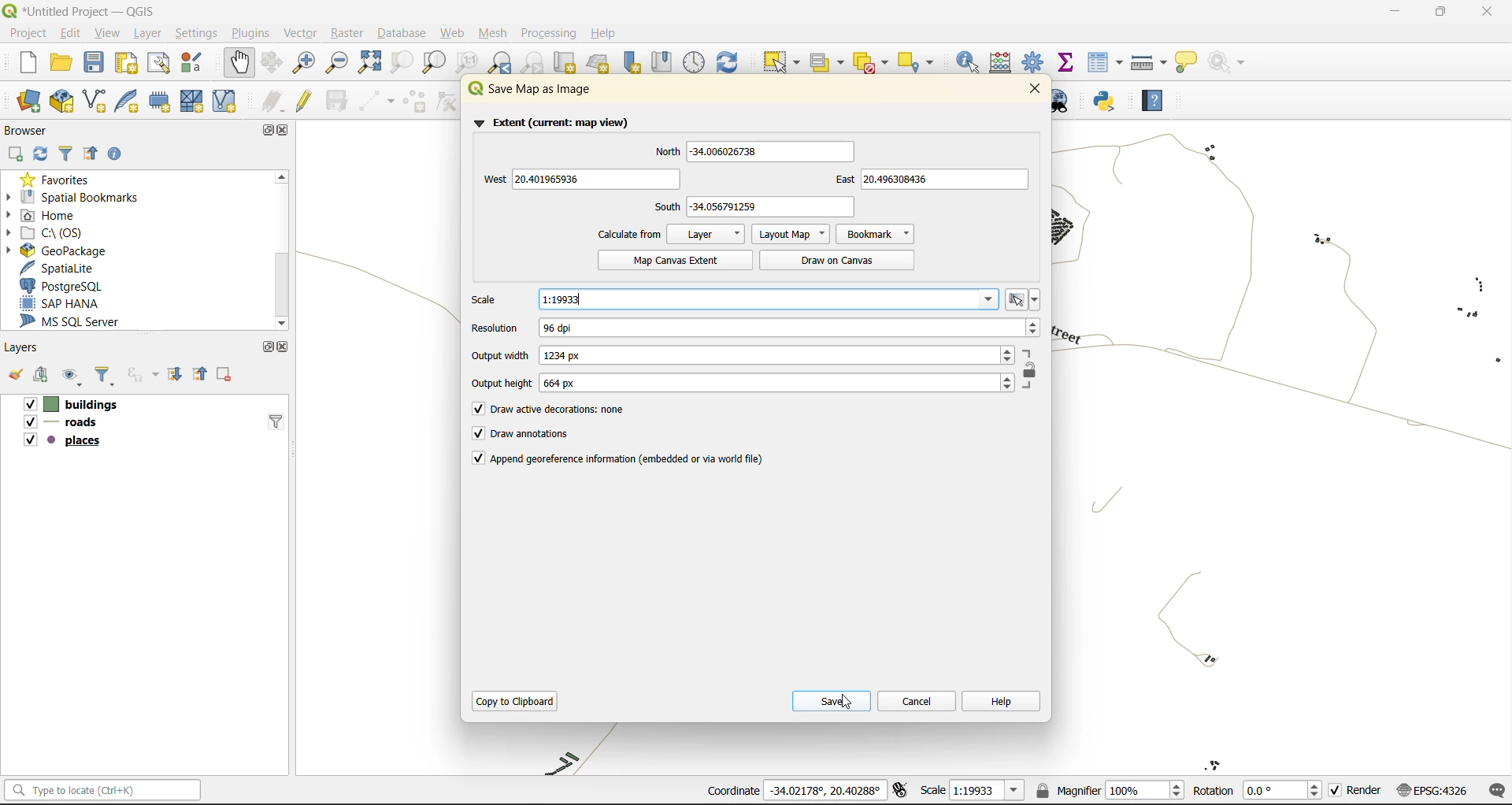 Image resolution: width=1512 pixels, height=805 pixels. What do you see at coordinates (401, 34) in the screenshot?
I see `database` at bounding box center [401, 34].